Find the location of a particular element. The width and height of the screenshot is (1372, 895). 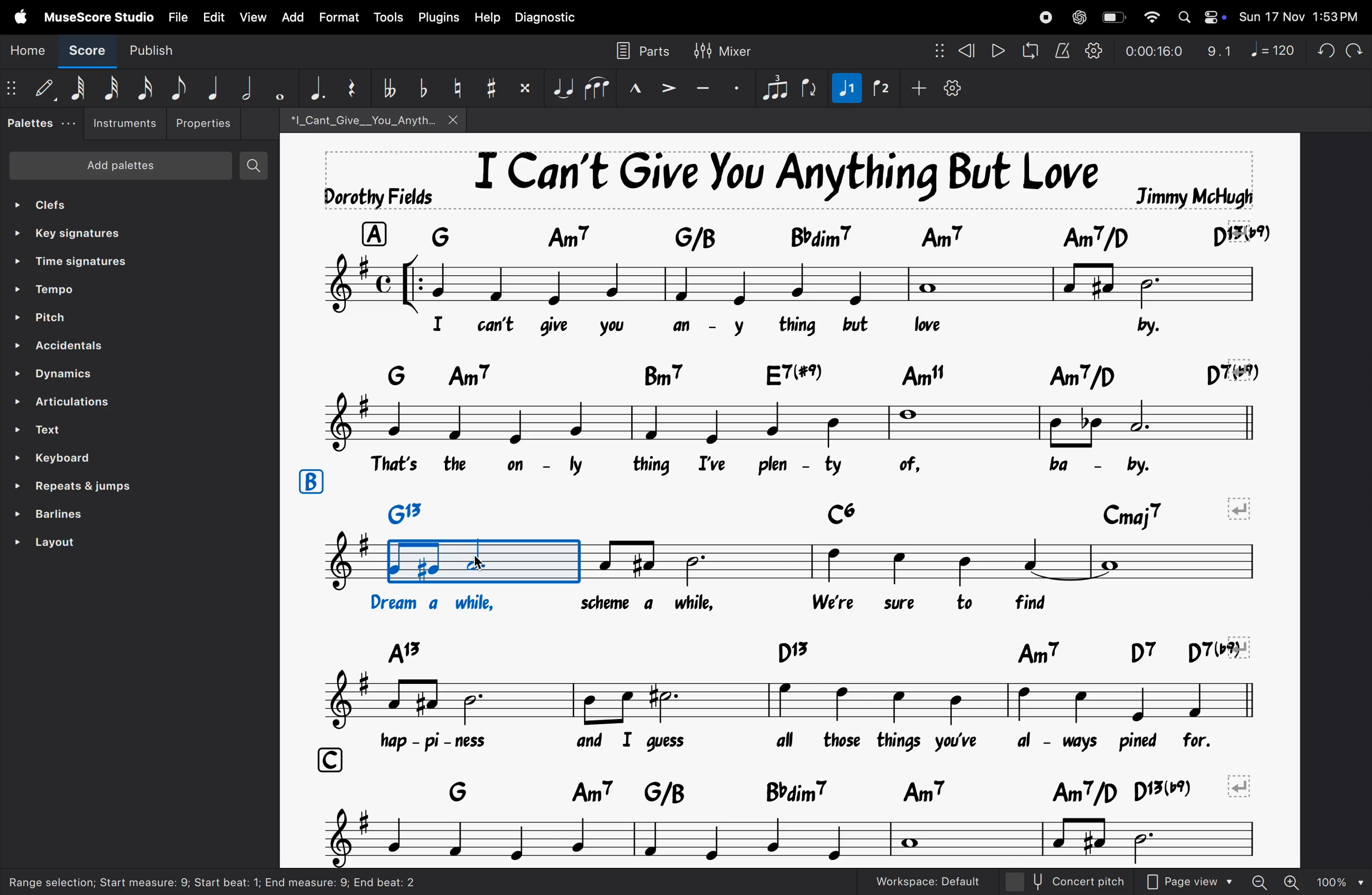

slur is located at coordinates (599, 87).